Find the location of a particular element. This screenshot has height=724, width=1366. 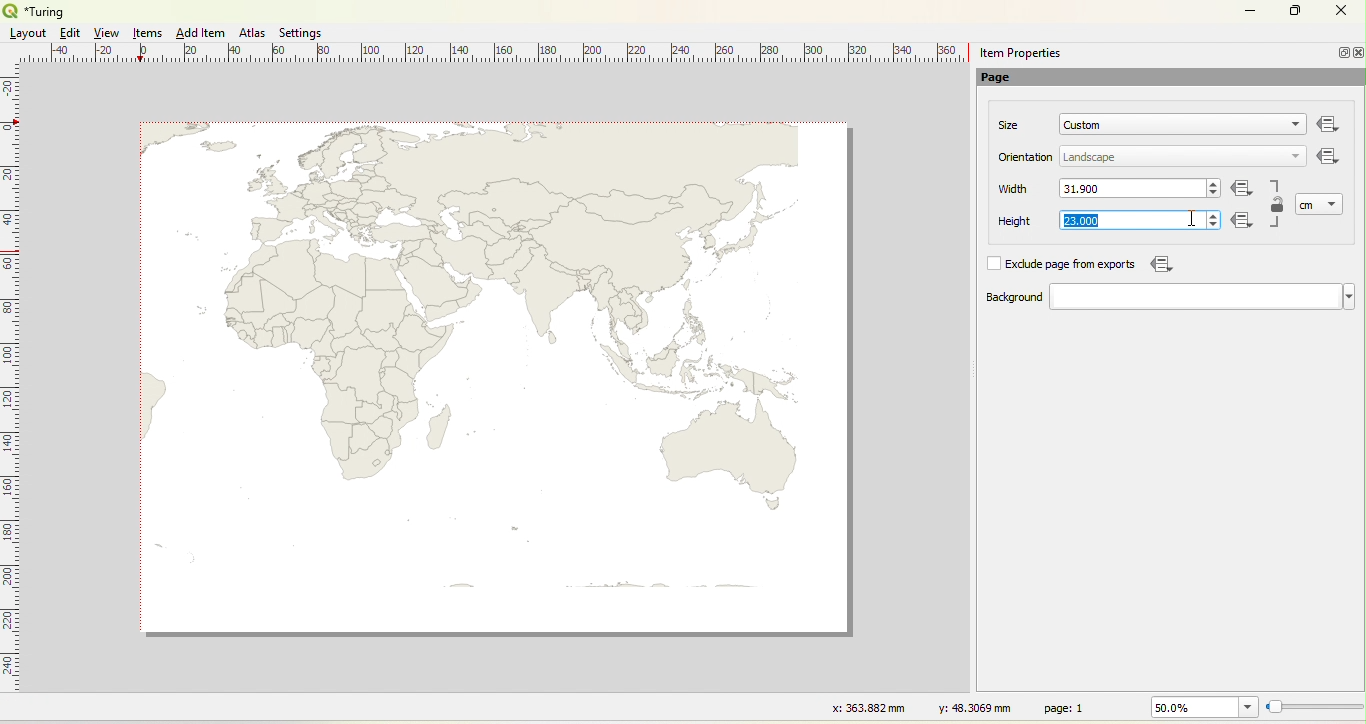

Icon is located at coordinates (1329, 158).